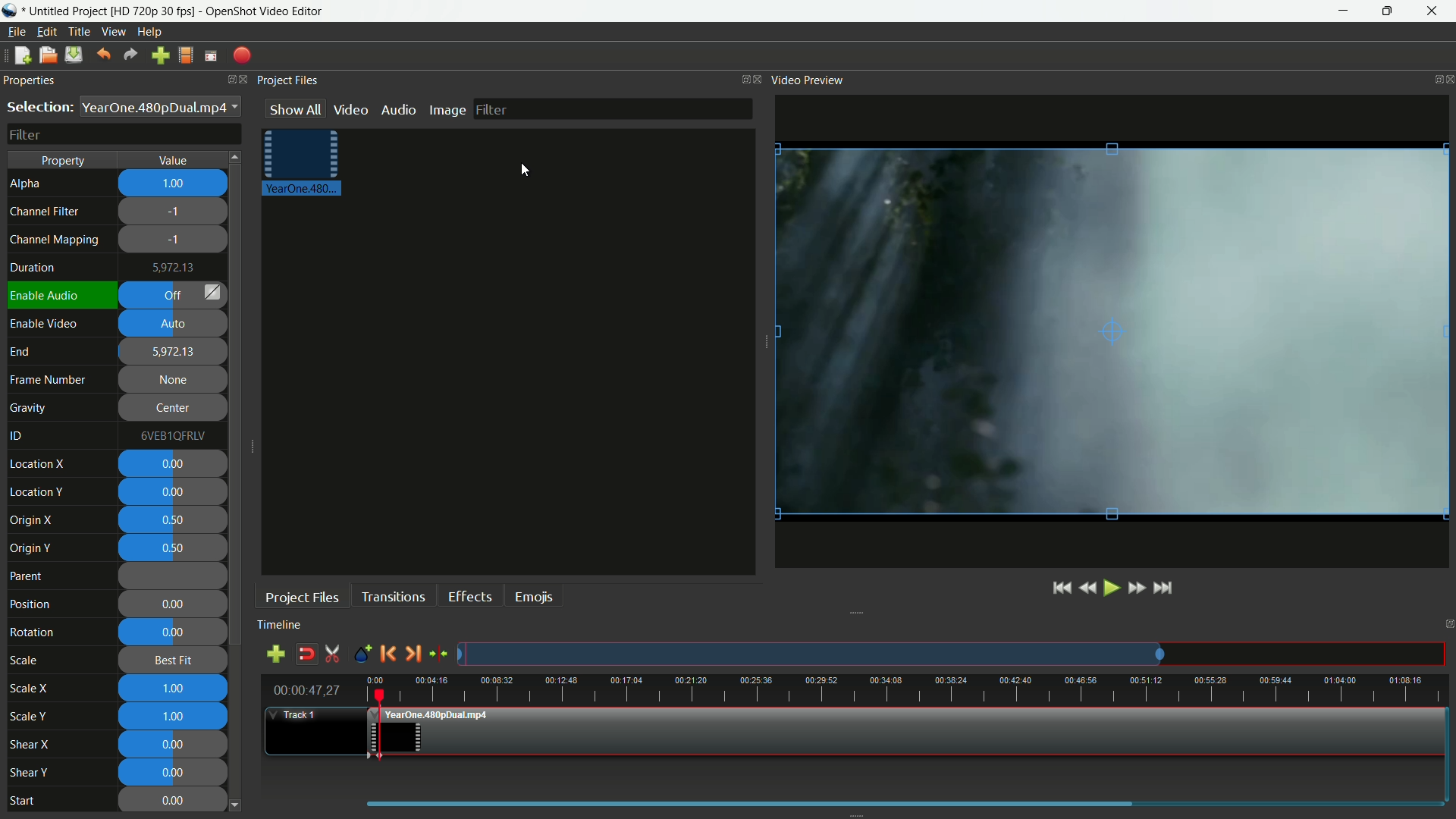 This screenshot has height=819, width=1456. I want to click on edit menu, so click(45, 33).